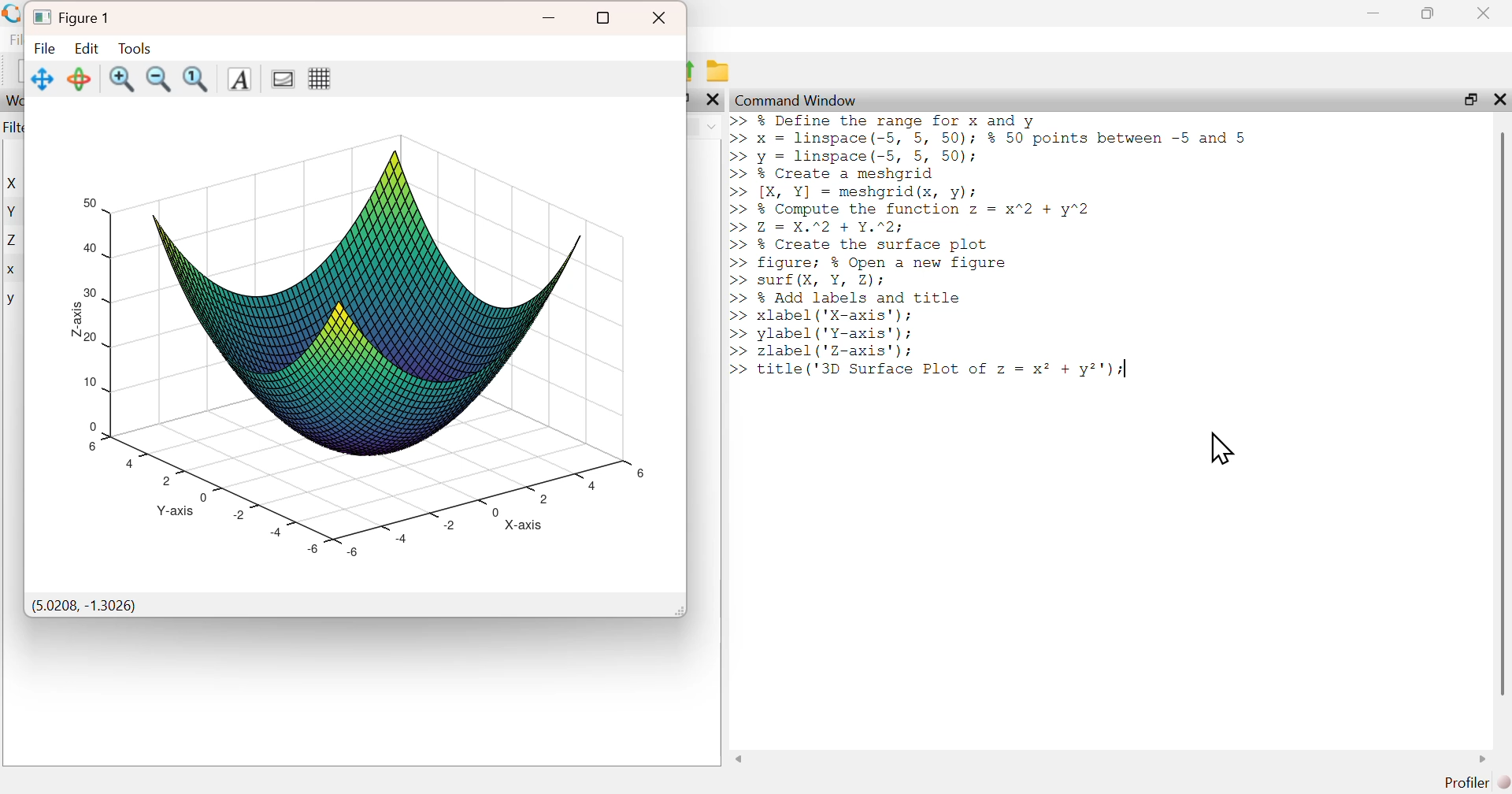  I want to click on fit to screen, so click(198, 79).